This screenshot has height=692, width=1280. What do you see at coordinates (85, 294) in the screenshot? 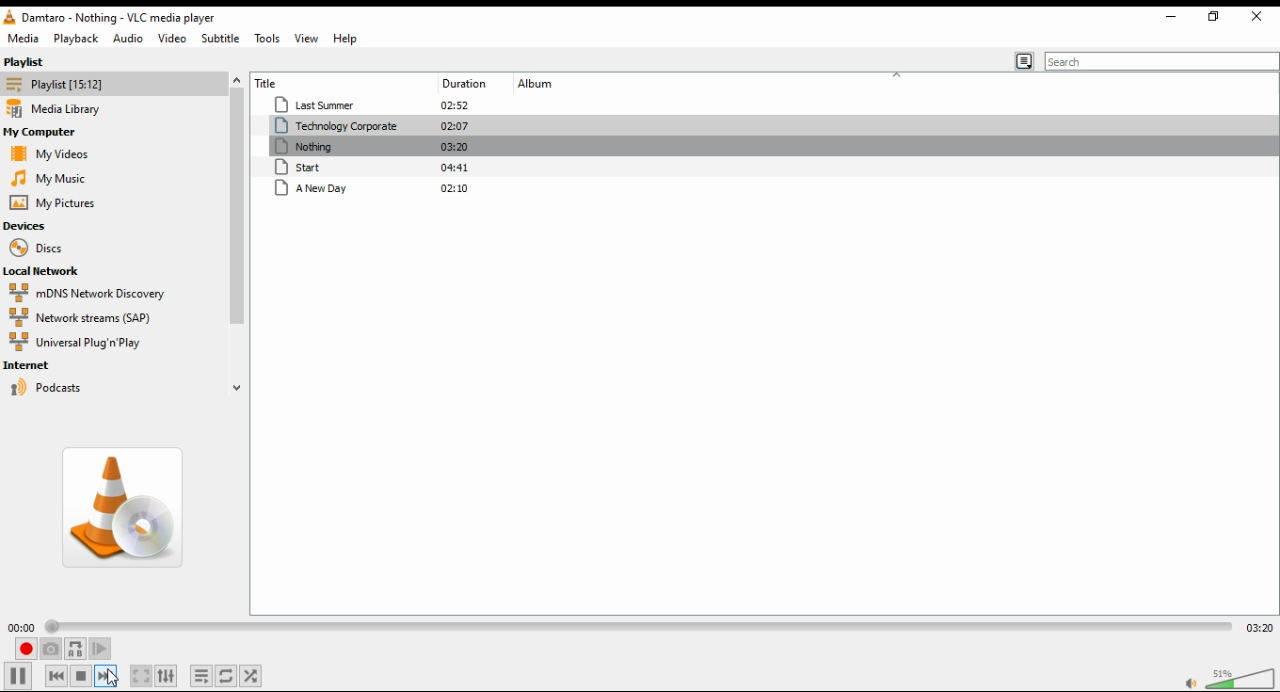
I see `mDNS network discovery` at bounding box center [85, 294].